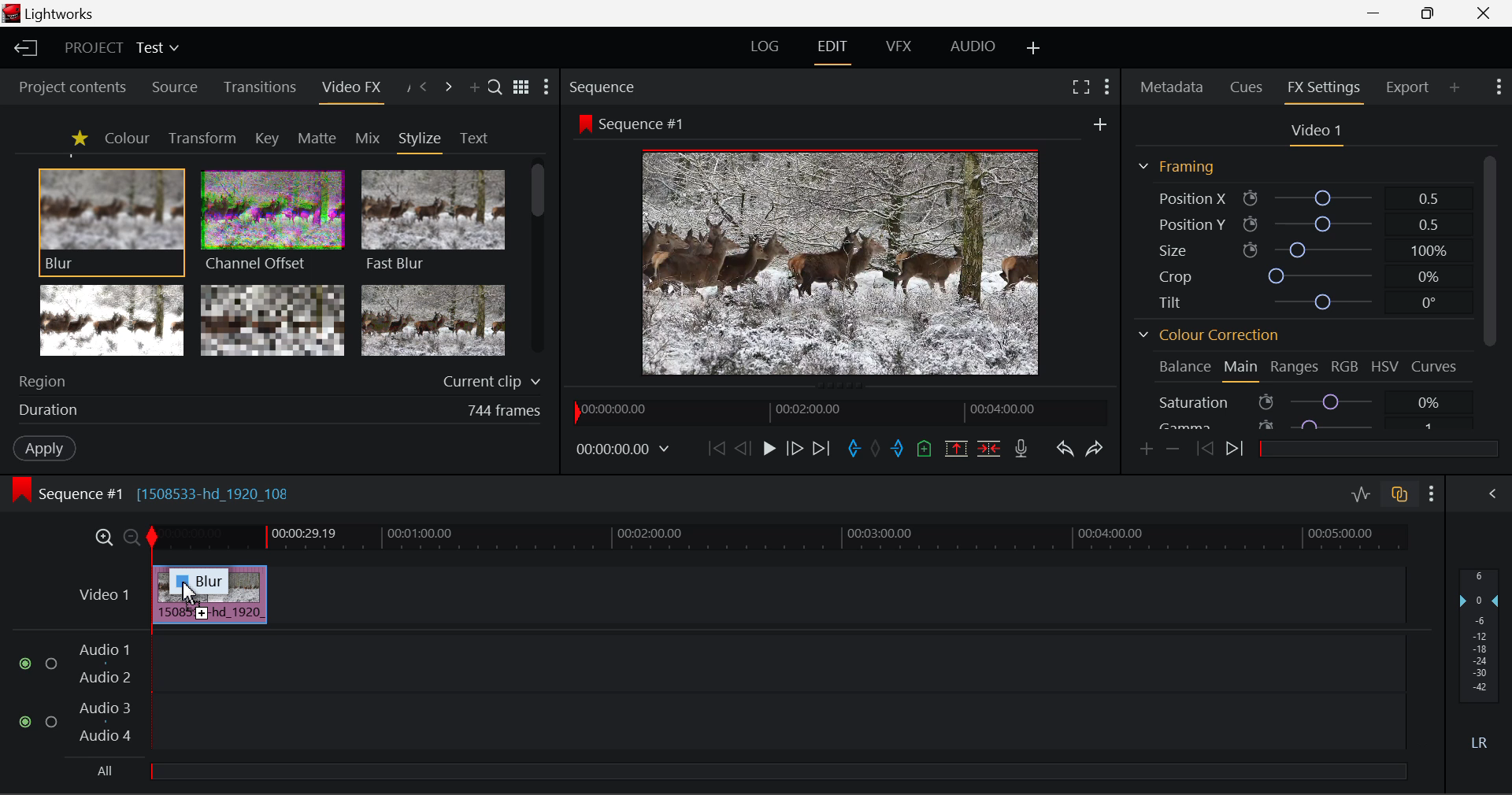 This screenshot has width=1512, height=795. What do you see at coordinates (1398, 492) in the screenshot?
I see `Toggle auto track sync` at bounding box center [1398, 492].